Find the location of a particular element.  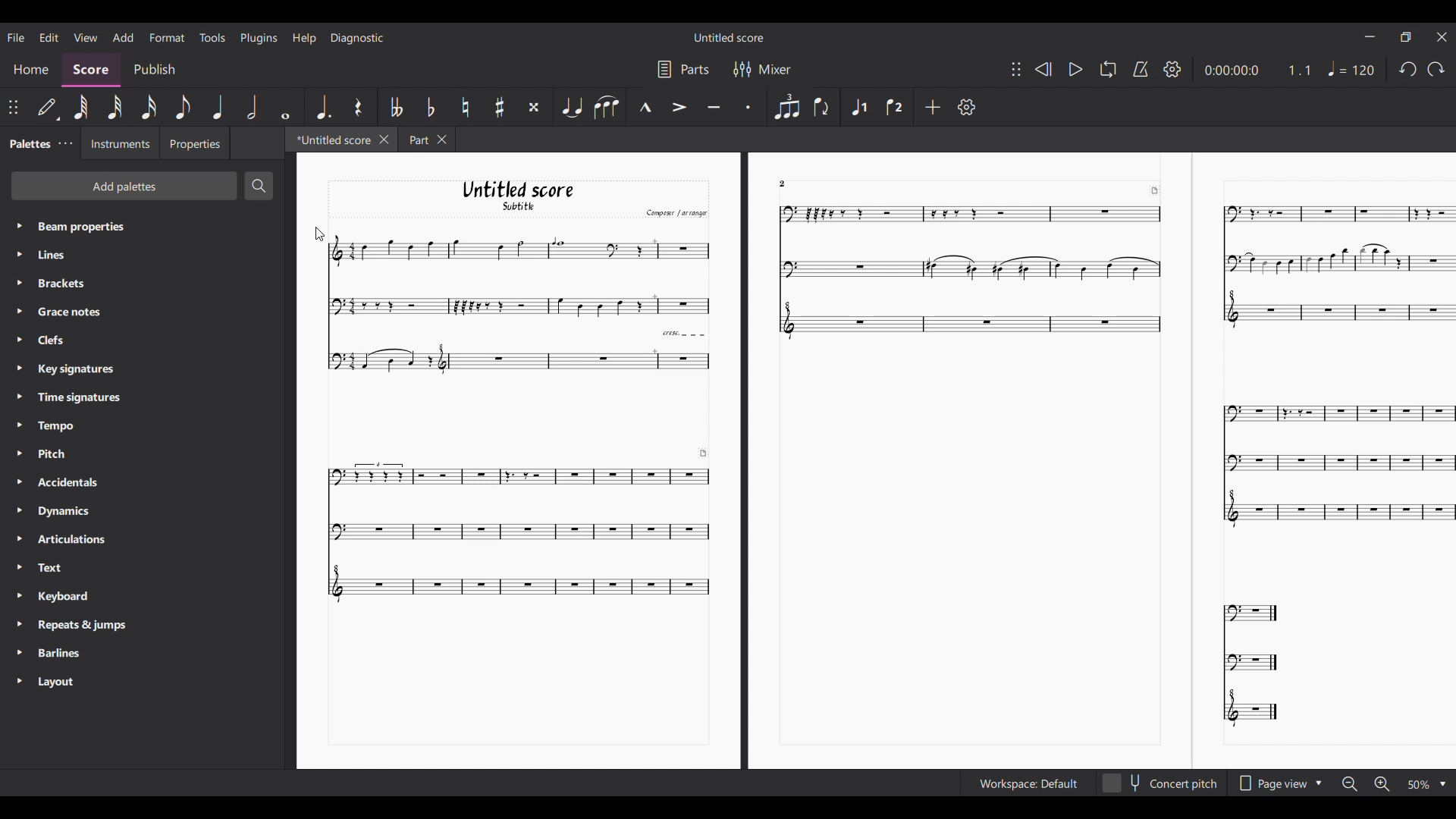

Edit is located at coordinates (49, 37).